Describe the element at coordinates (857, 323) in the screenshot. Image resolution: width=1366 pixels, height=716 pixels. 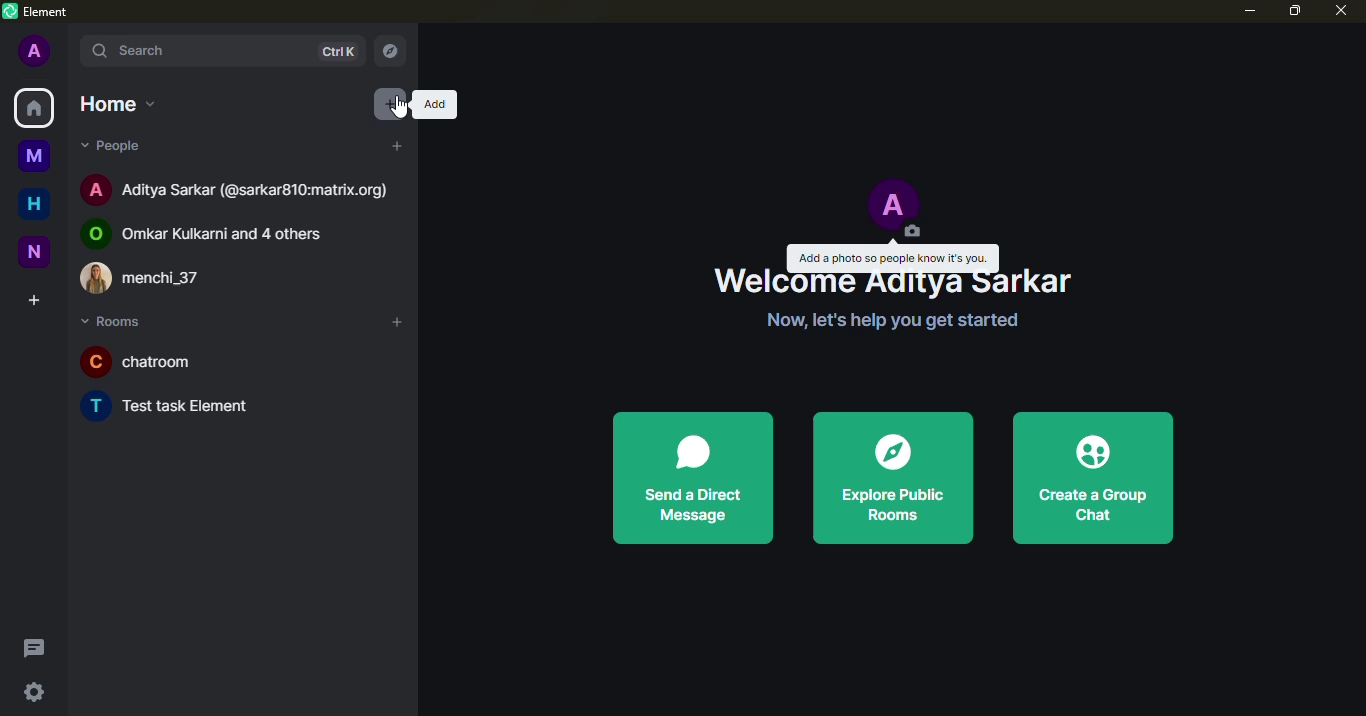
I see `Now, let's help you get started` at that location.